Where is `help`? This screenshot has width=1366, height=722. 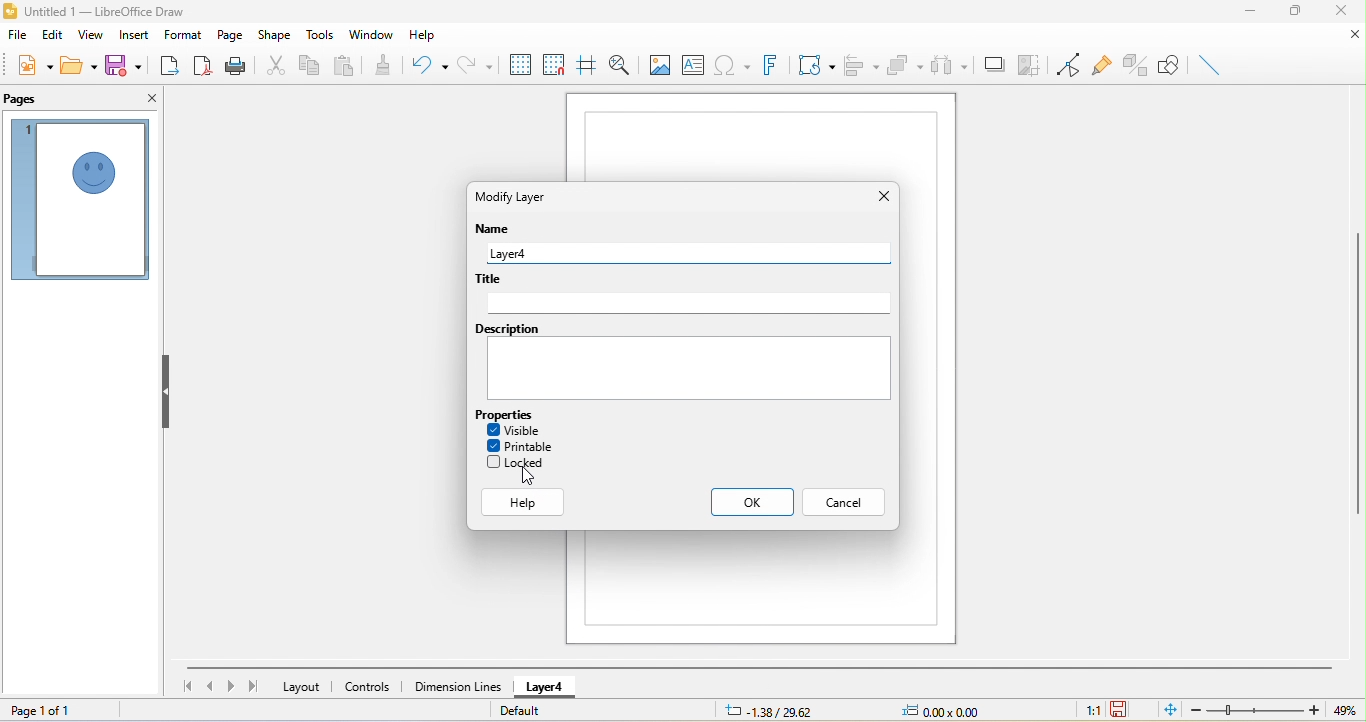
help is located at coordinates (421, 36).